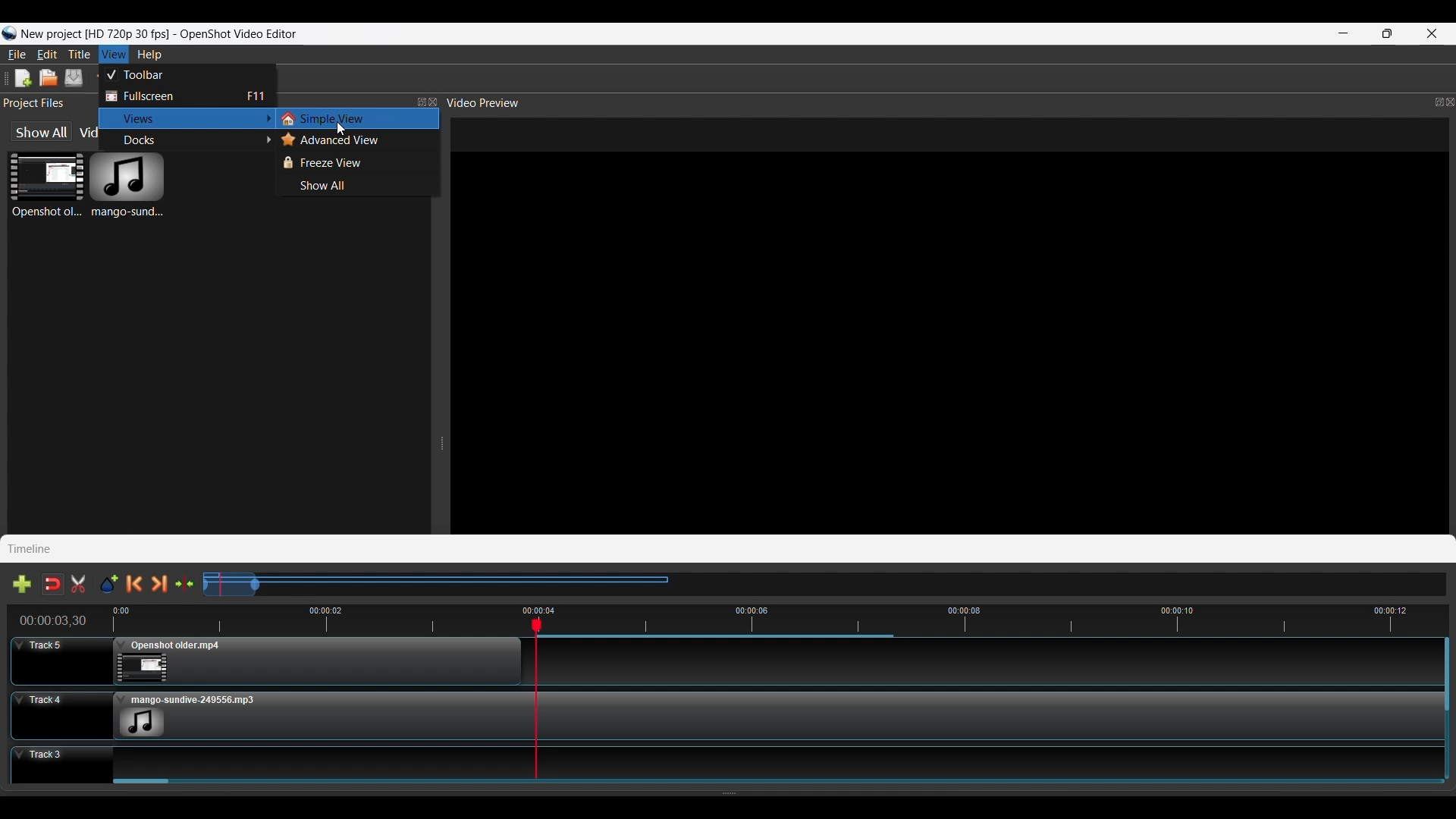 This screenshot has width=1456, height=819. What do you see at coordinates (353, 120) in the screenshot?
I see `Simple View` at bounding box center [353, 120].